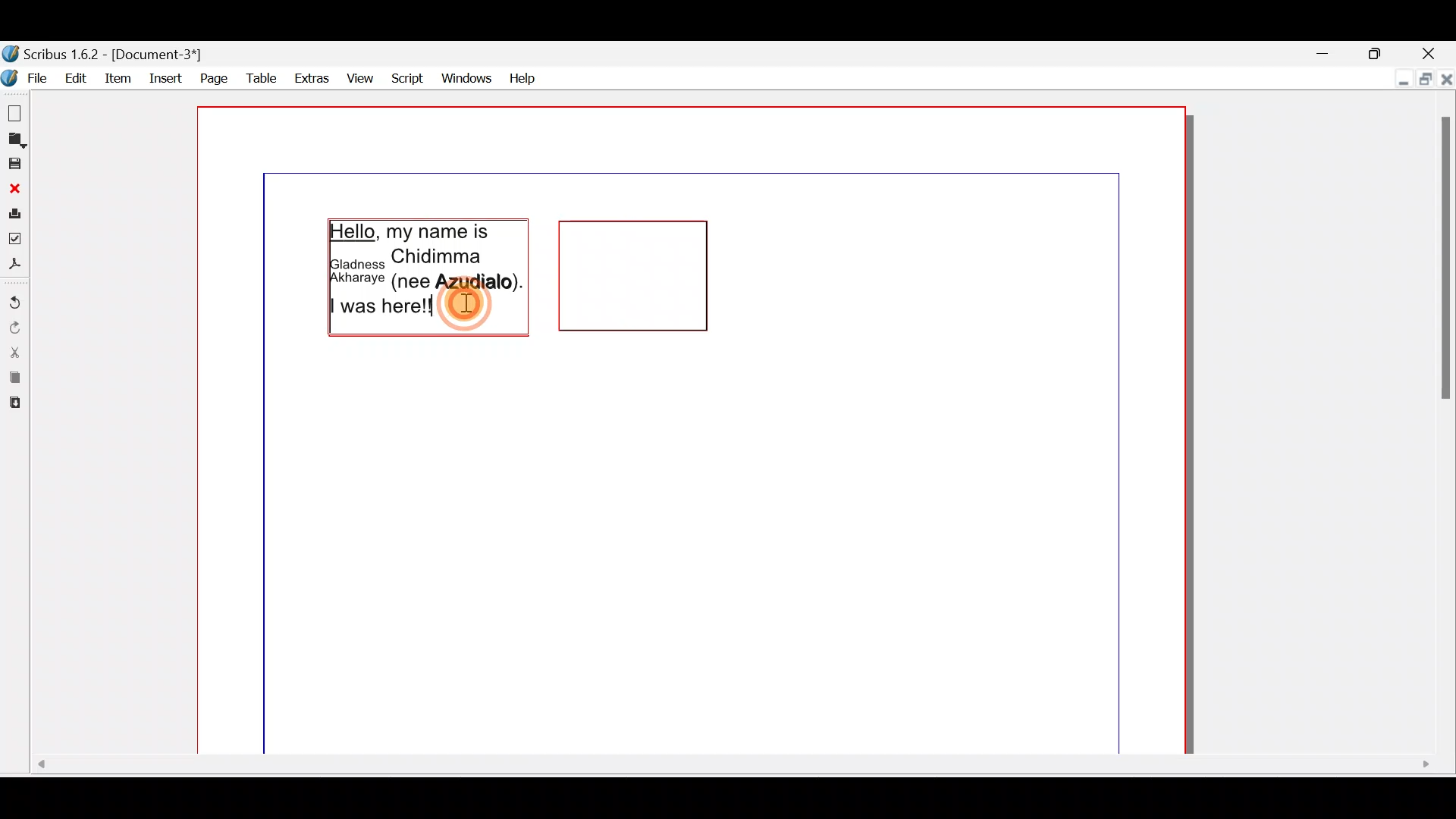 This screenshot has height=819, width=1456. I want to click on Scroll bar, so click(1442, 425).